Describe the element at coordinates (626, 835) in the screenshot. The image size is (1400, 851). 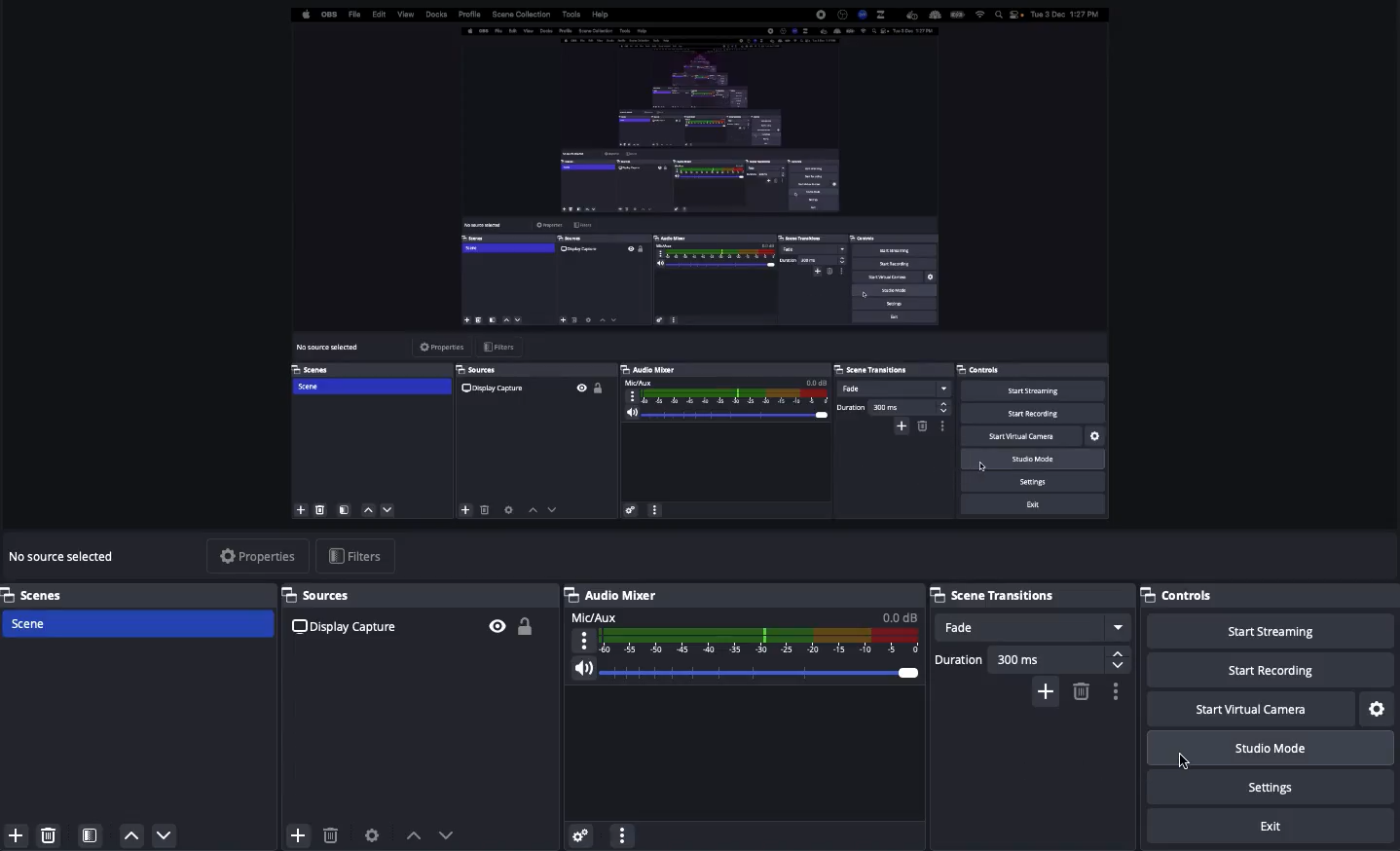
I see `options` at that location.